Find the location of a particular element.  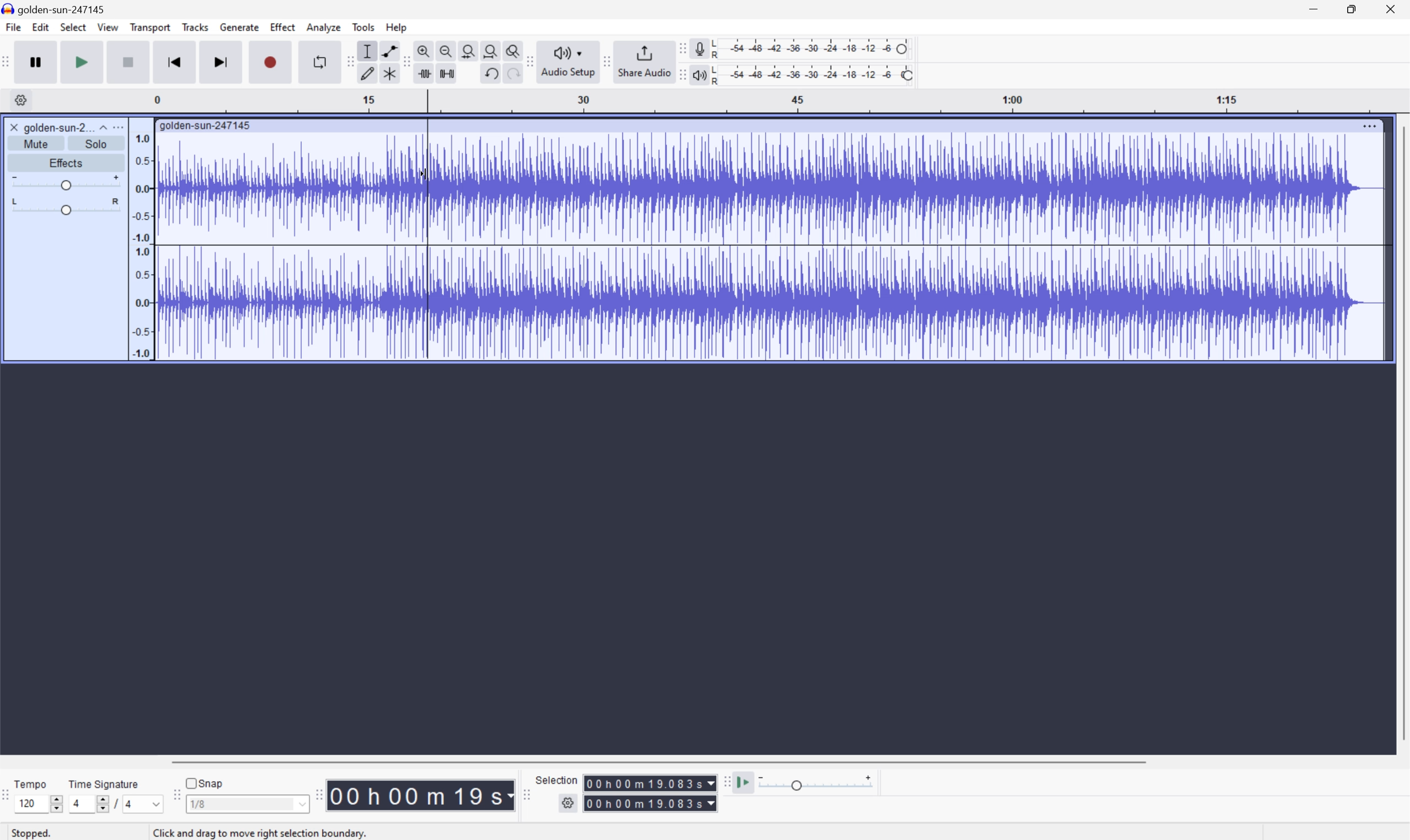

Playback speed: 100% is located at coordinates (814, 73).